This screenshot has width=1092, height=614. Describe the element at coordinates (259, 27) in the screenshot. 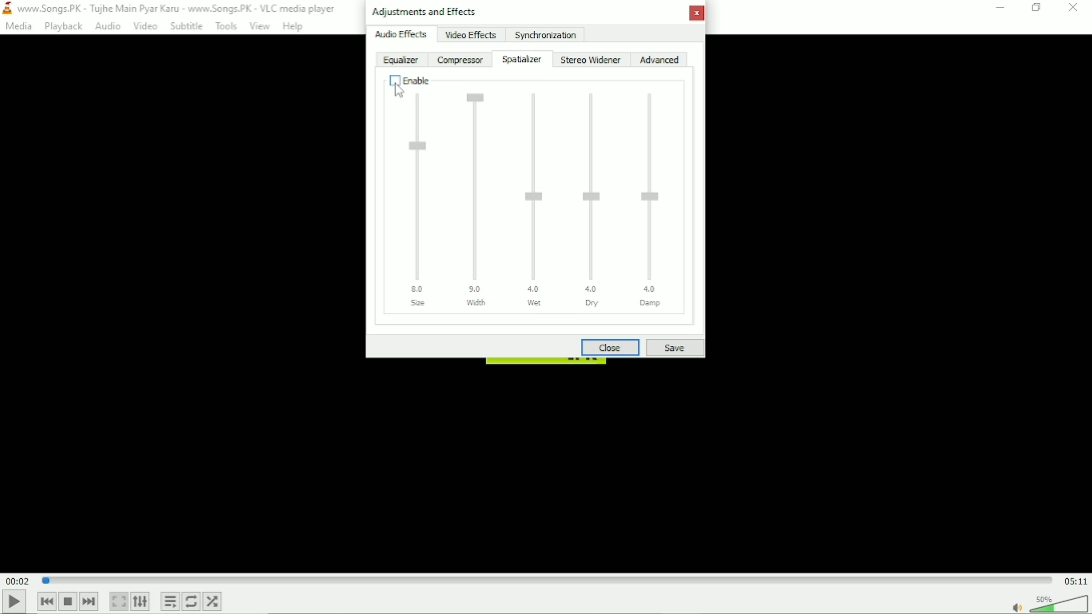

I see `View` at that location.